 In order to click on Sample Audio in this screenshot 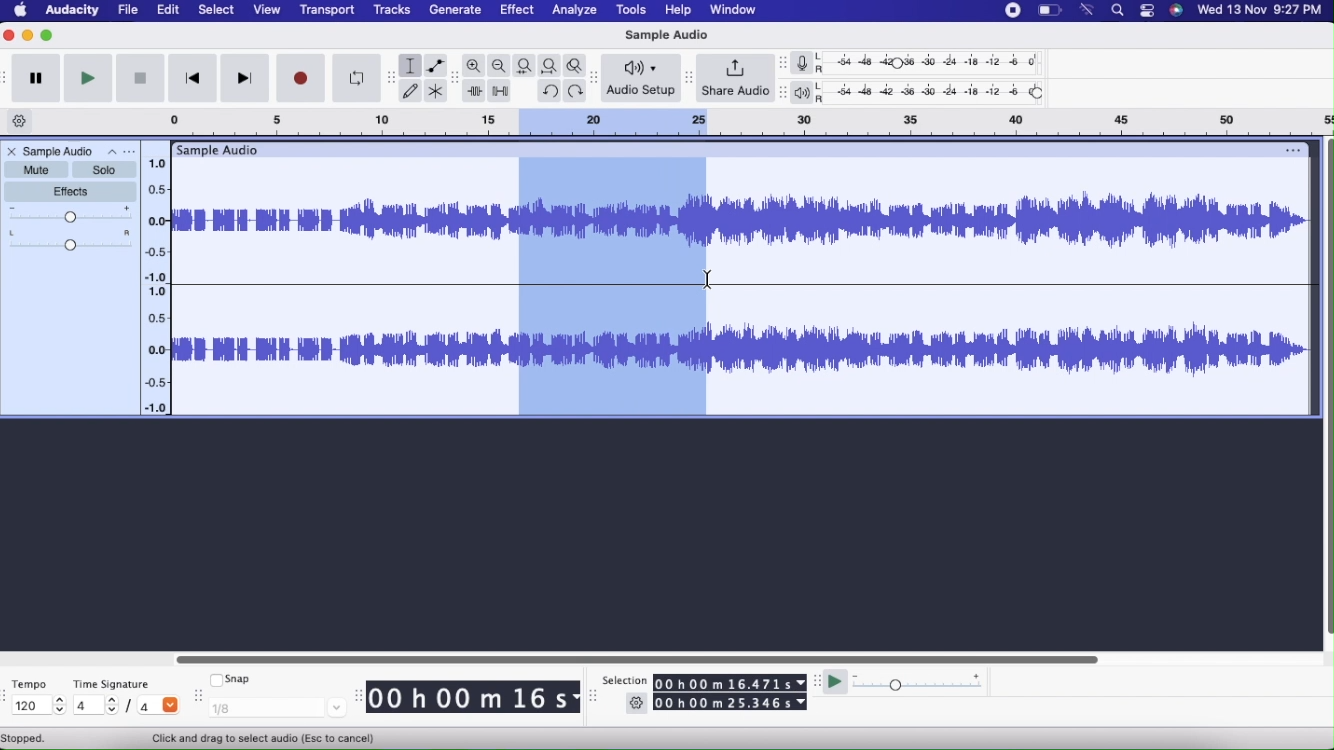, I will do `click(60, 151)`.